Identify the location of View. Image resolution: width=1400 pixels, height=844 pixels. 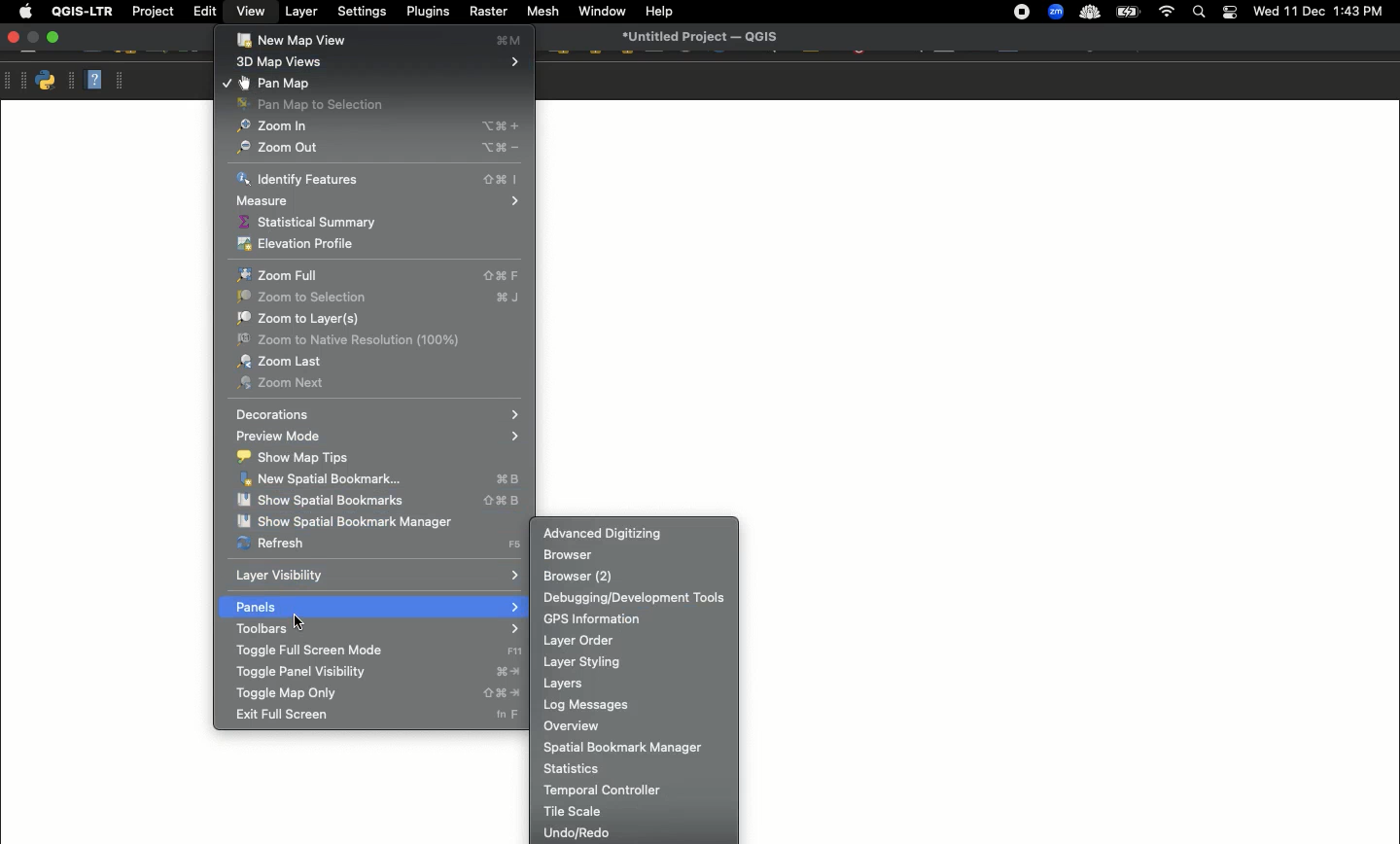
(249, 11).